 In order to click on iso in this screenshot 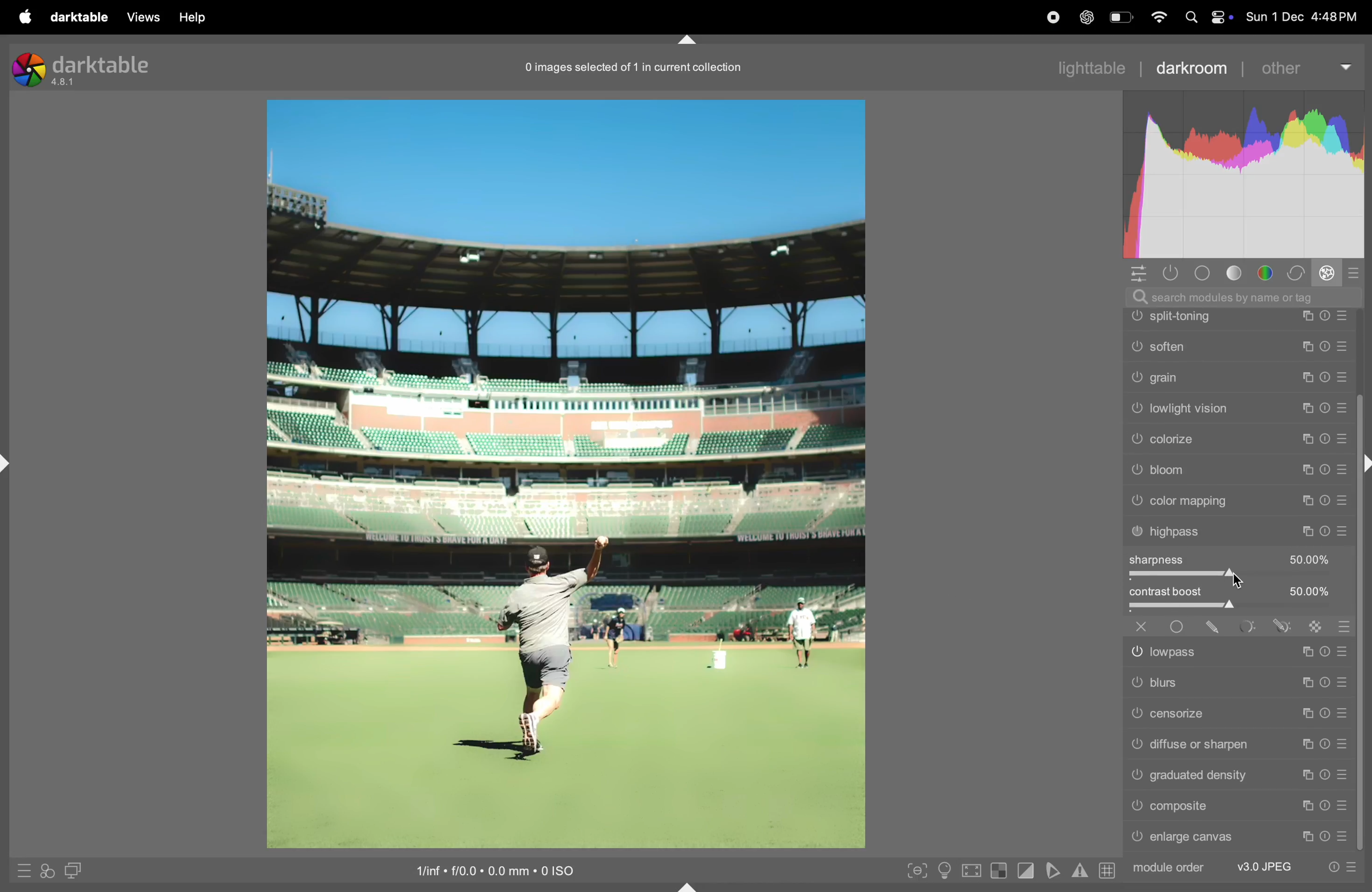, I will do `click(507, 870)`.